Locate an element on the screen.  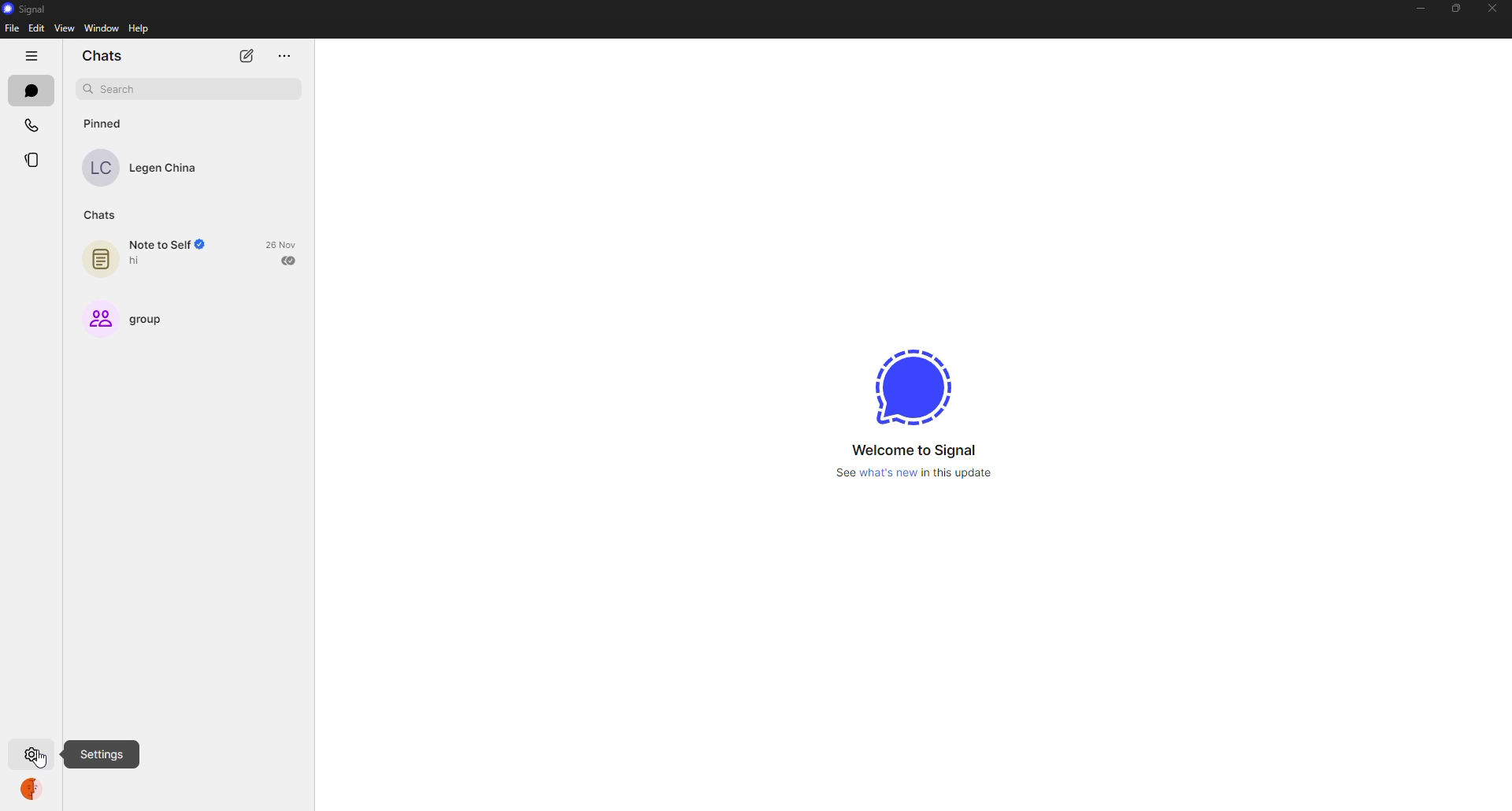
note to self is located at coordinates (150, 254).